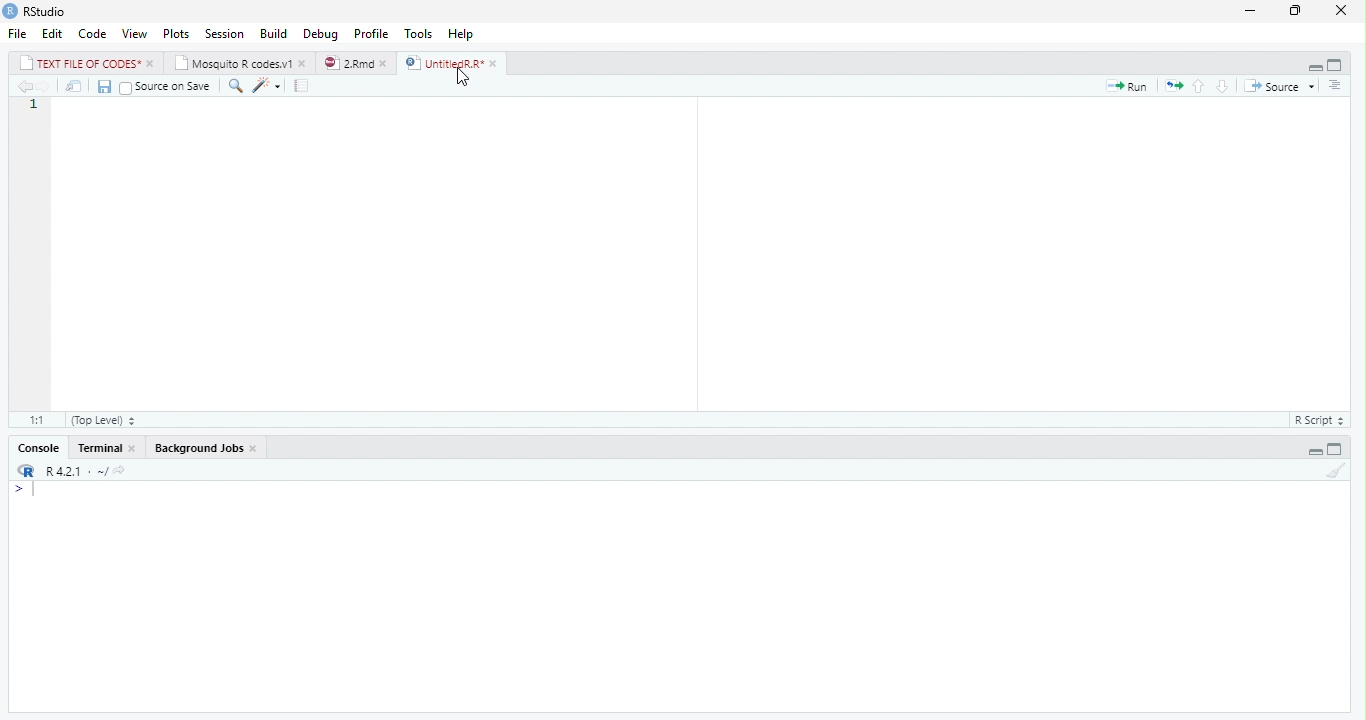 The image size is (1366, 720). I want to click on Close, so click(1341, 11).